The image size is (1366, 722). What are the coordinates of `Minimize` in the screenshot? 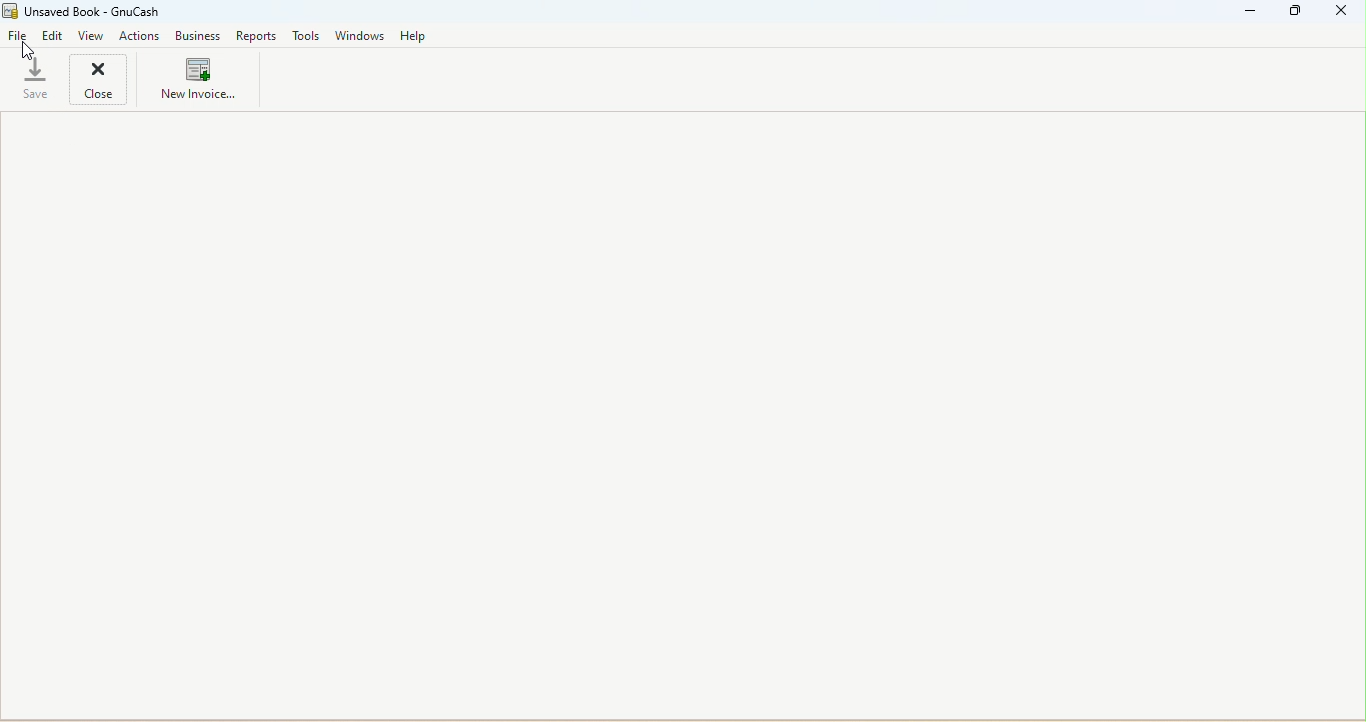 It's located at (1252, 11).